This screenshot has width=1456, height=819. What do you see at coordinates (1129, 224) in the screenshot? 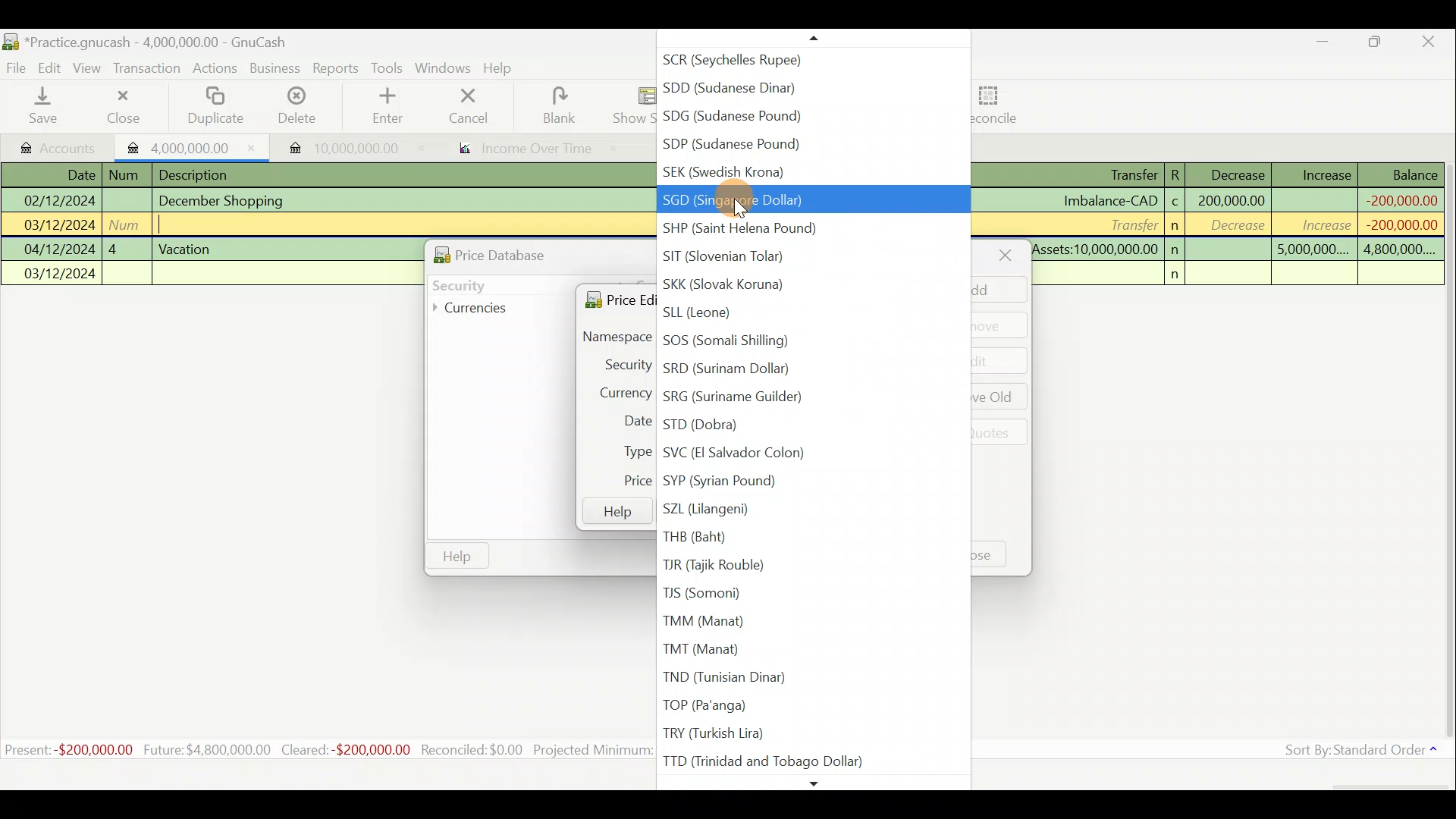
I see `Transfer` at bounding box center [1129, 224].